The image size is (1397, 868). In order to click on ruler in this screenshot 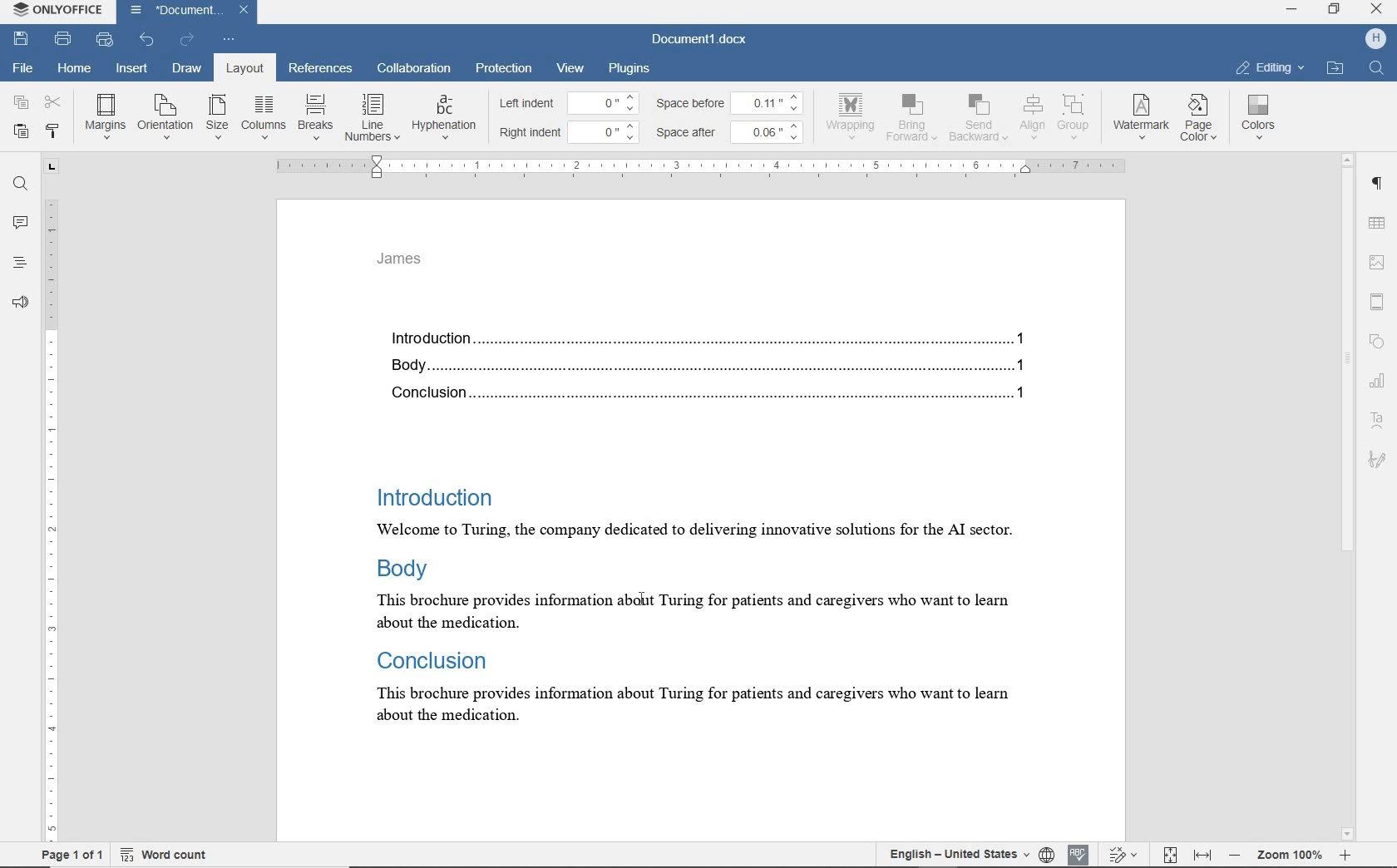, I will do `click(704, 166)`.